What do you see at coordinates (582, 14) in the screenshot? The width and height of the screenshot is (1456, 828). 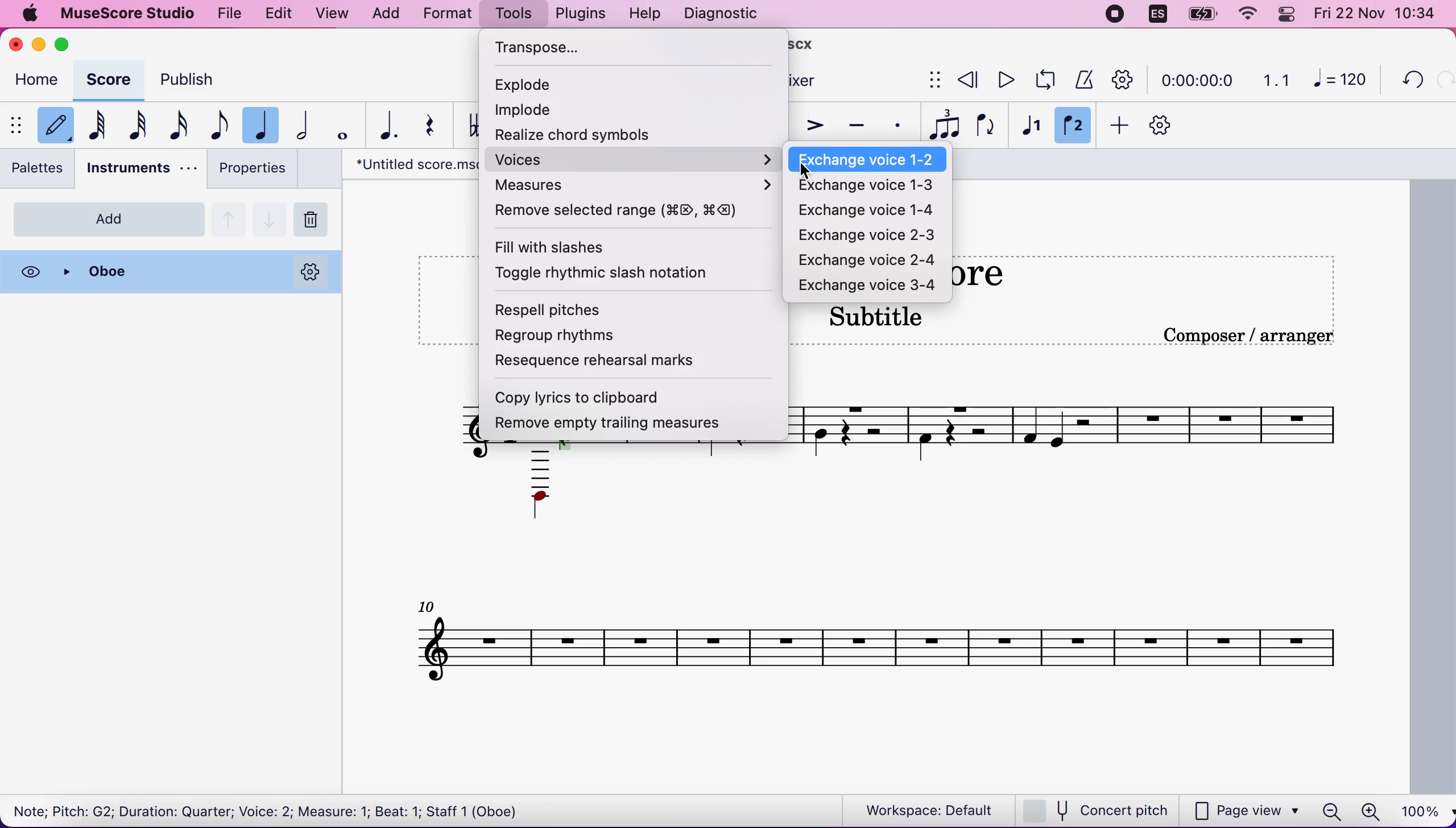 I see `plugins` at bounding box center [582, 14].